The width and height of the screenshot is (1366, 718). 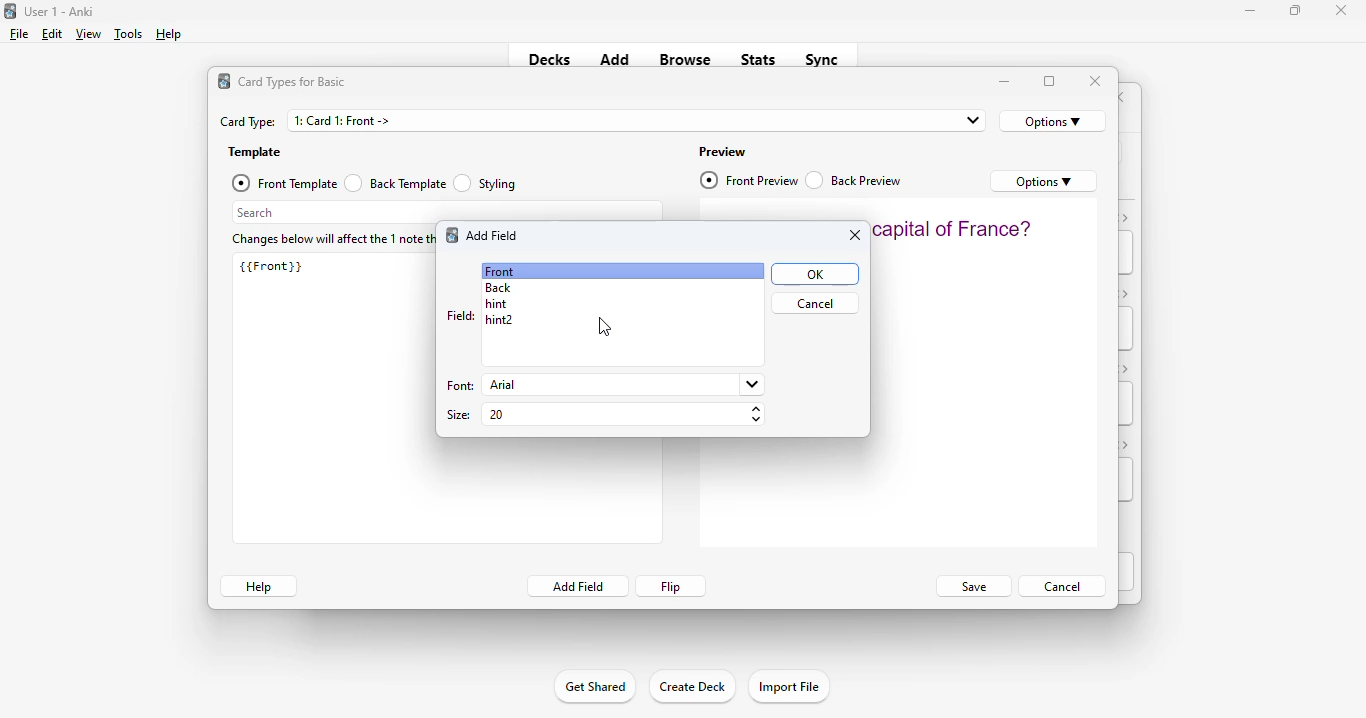 What do you see at coordinates (820, 58) in the screenshot?
I see `sync` at bounding box center [820, 58].